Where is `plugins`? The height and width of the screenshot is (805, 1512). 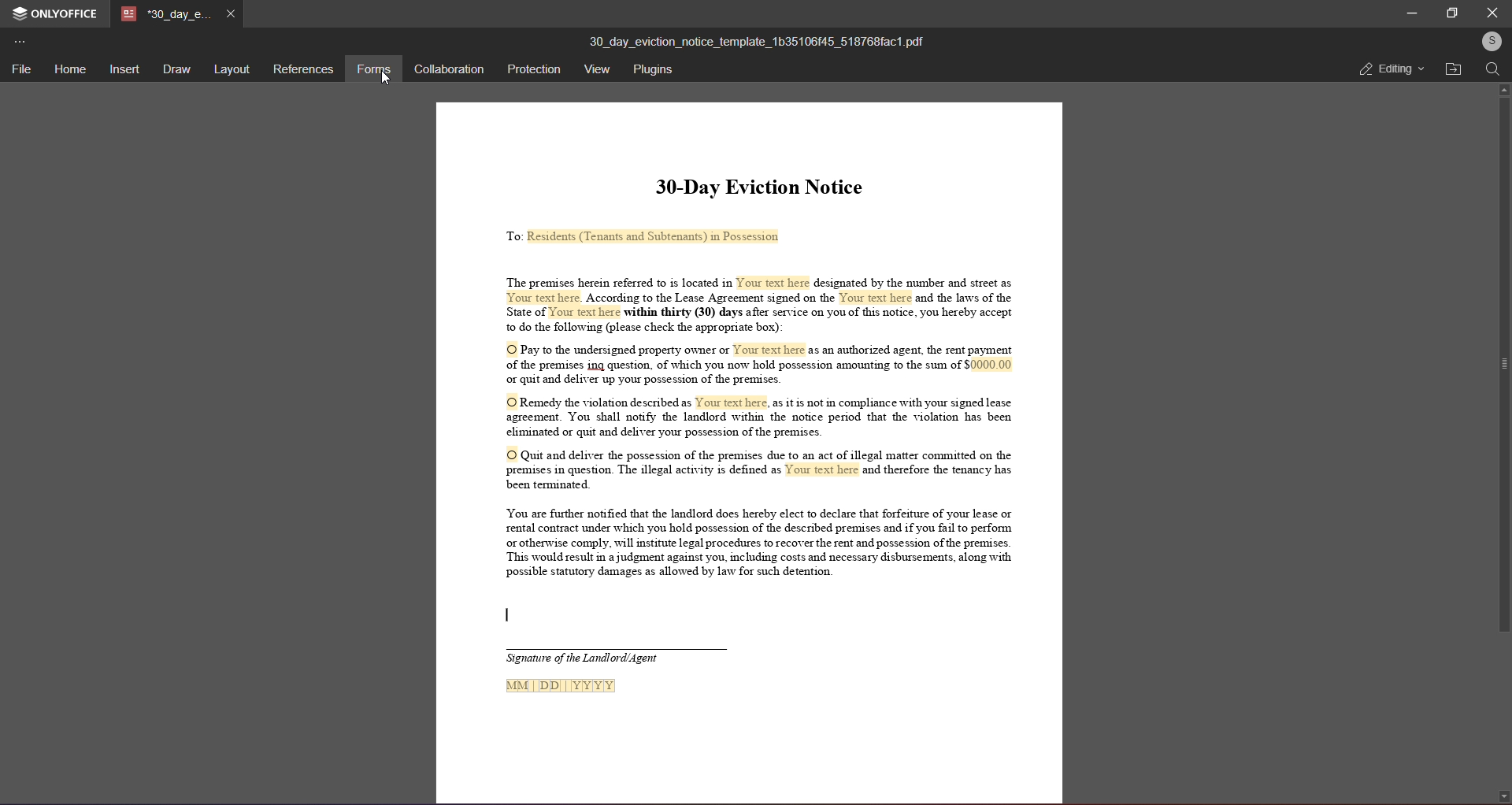 plugins is located at coordinates (655, 69).